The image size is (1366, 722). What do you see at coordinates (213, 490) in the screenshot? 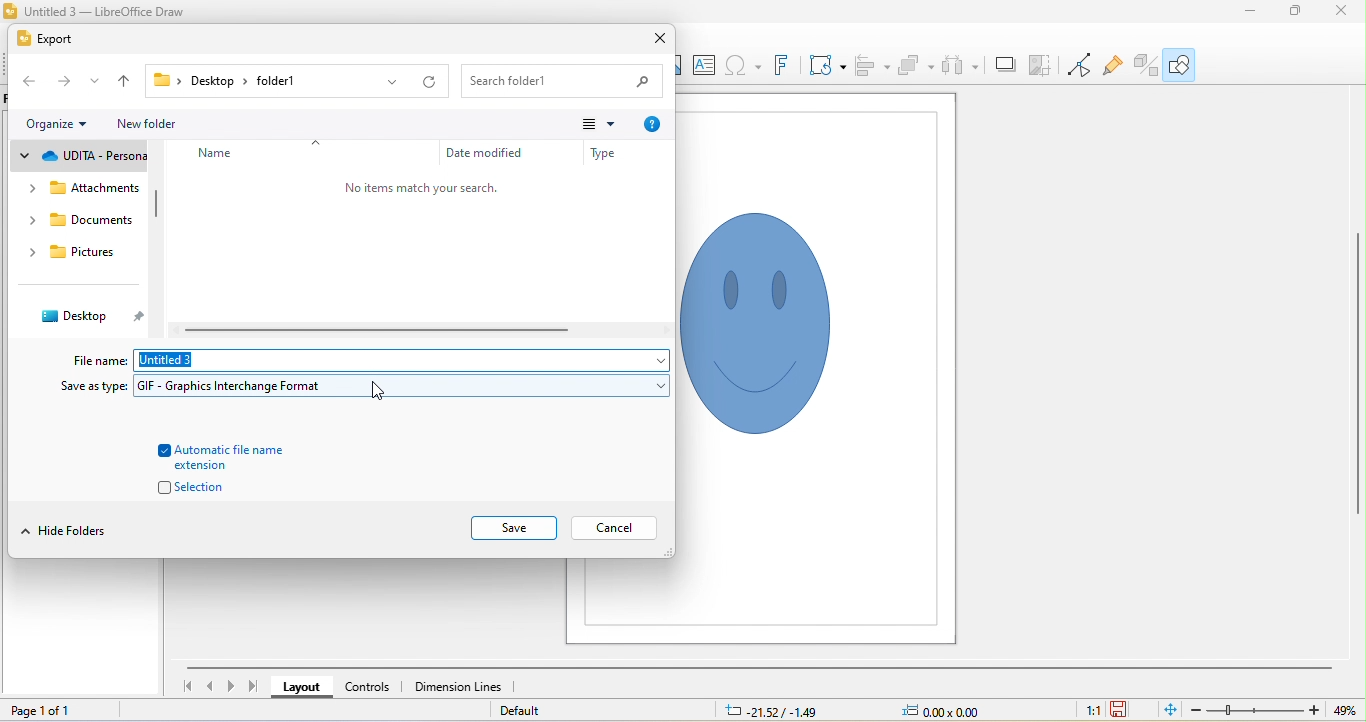
I see `selection` at bounding box center [213, 490].